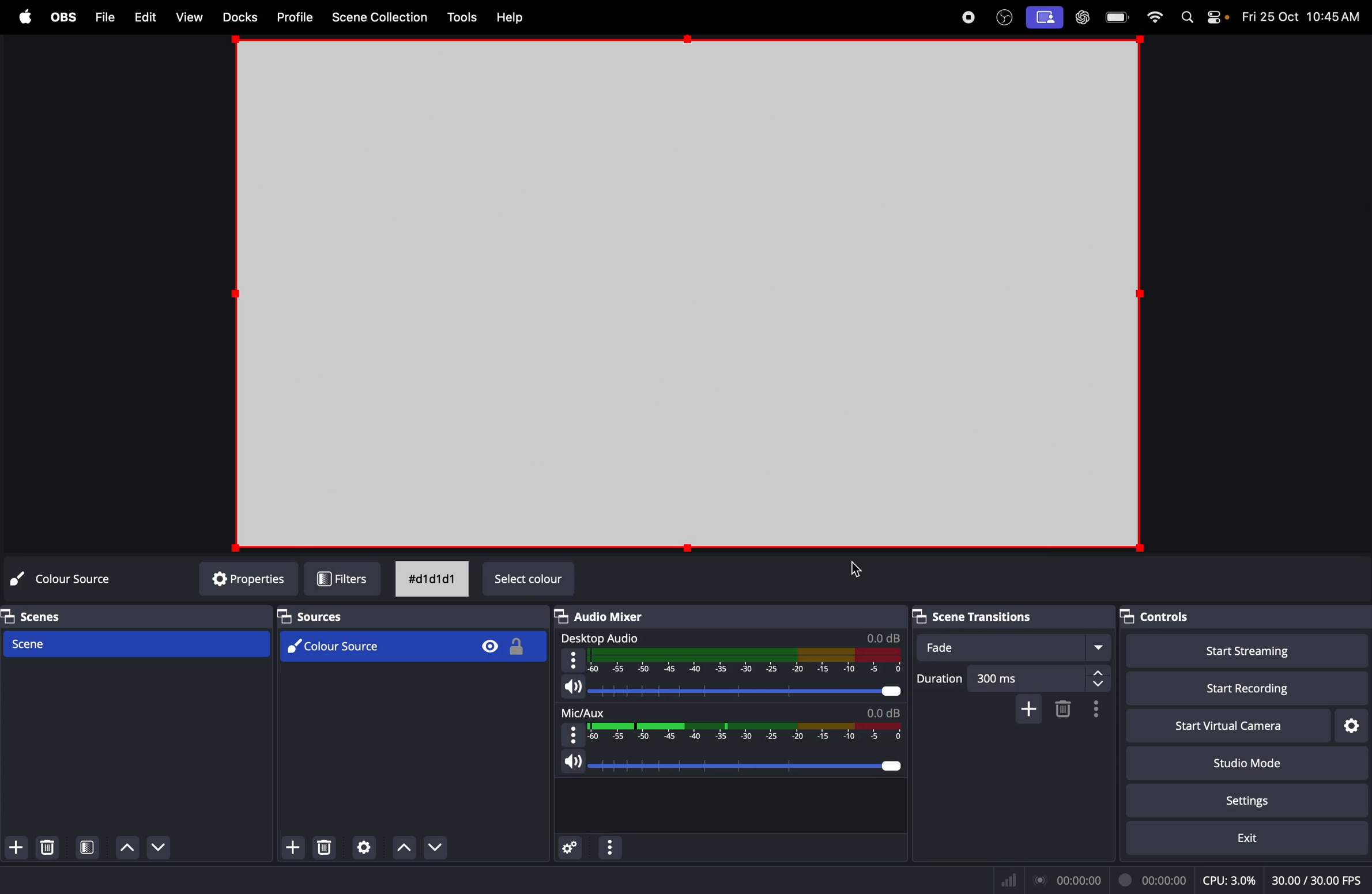 Image resolution: width=1372 pixels, height=894 pixels. I want to click on Scene transitions, so click(968, 617).